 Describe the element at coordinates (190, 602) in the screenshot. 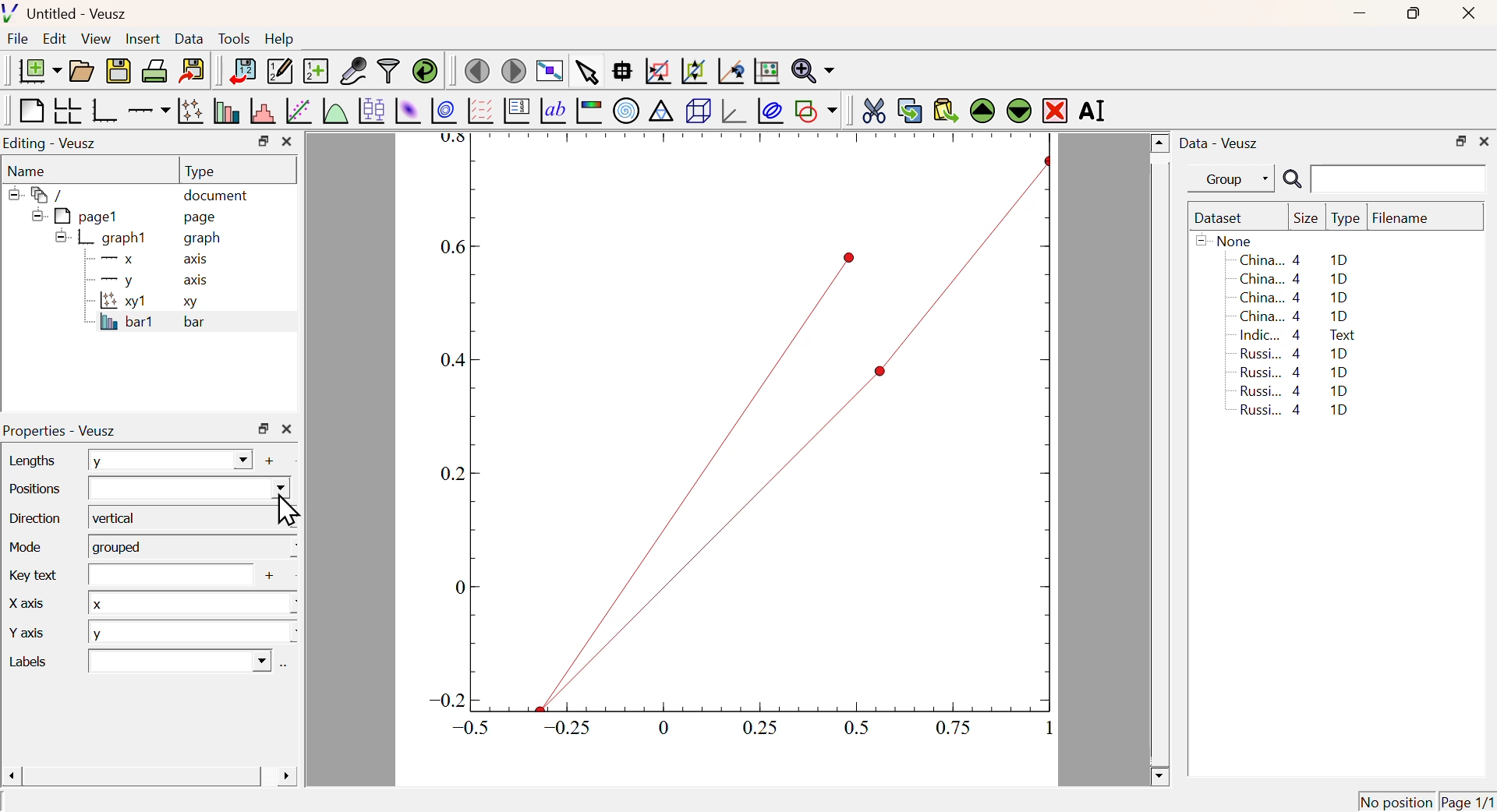

I see `x` at that location.